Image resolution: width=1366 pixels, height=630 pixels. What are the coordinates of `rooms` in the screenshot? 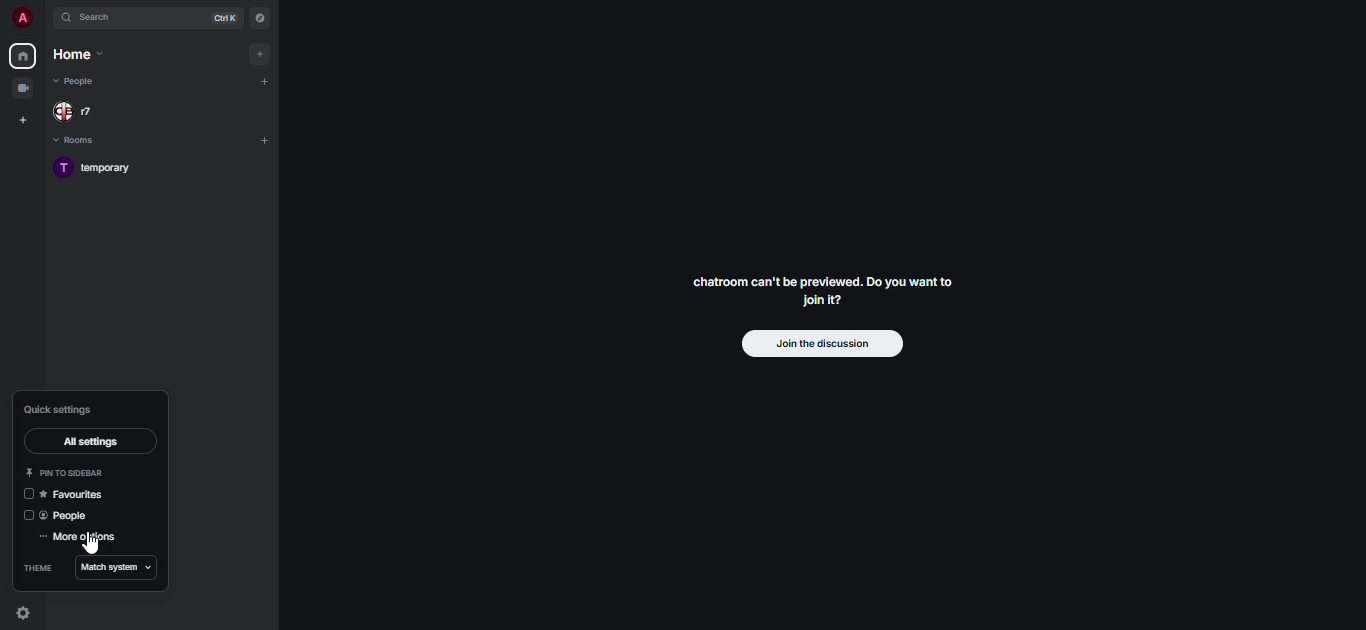 It's located at (75, 141).